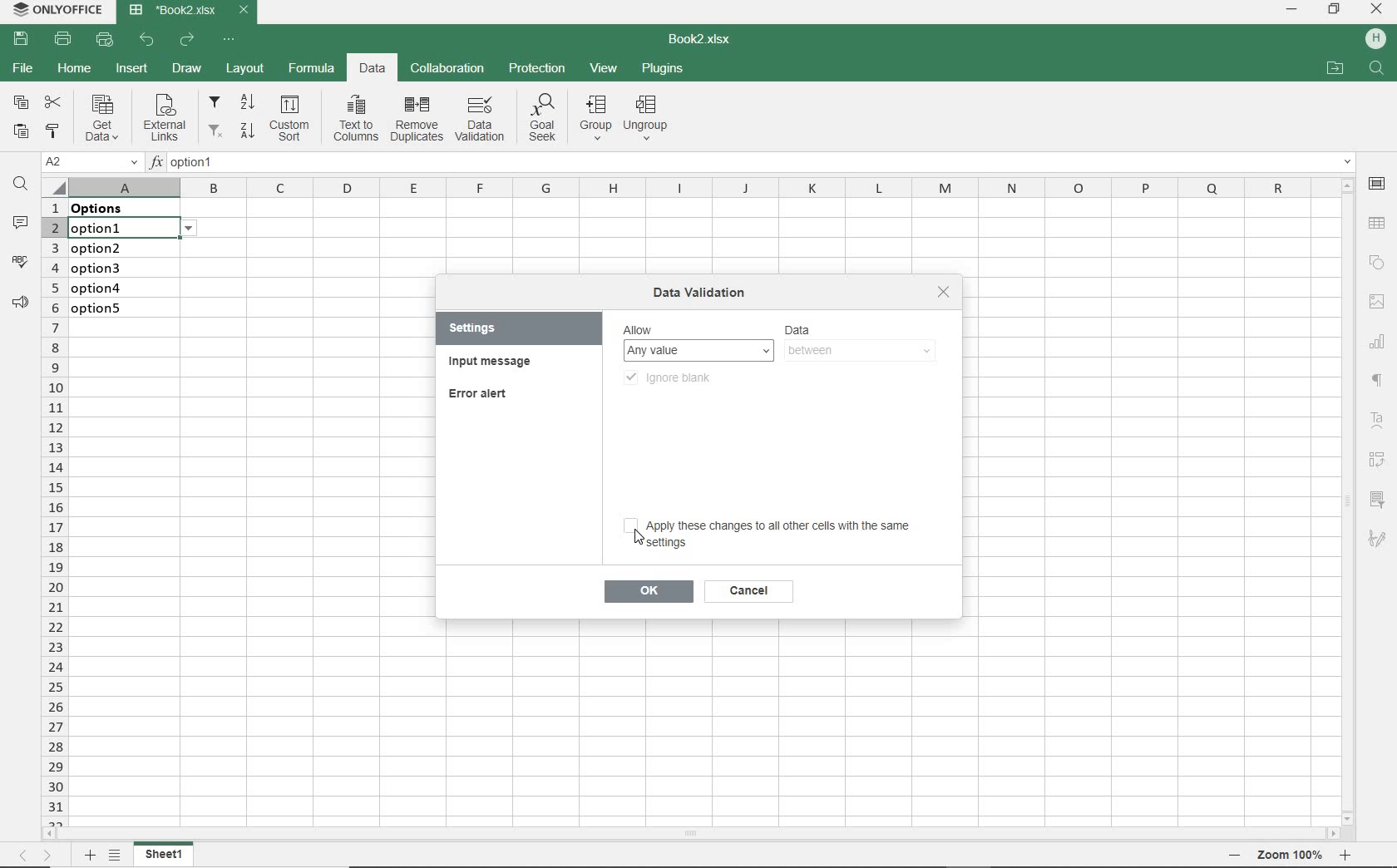 The width and height of the screenshot is (1397, 868). I want to click on Allow, so click(696, 328).